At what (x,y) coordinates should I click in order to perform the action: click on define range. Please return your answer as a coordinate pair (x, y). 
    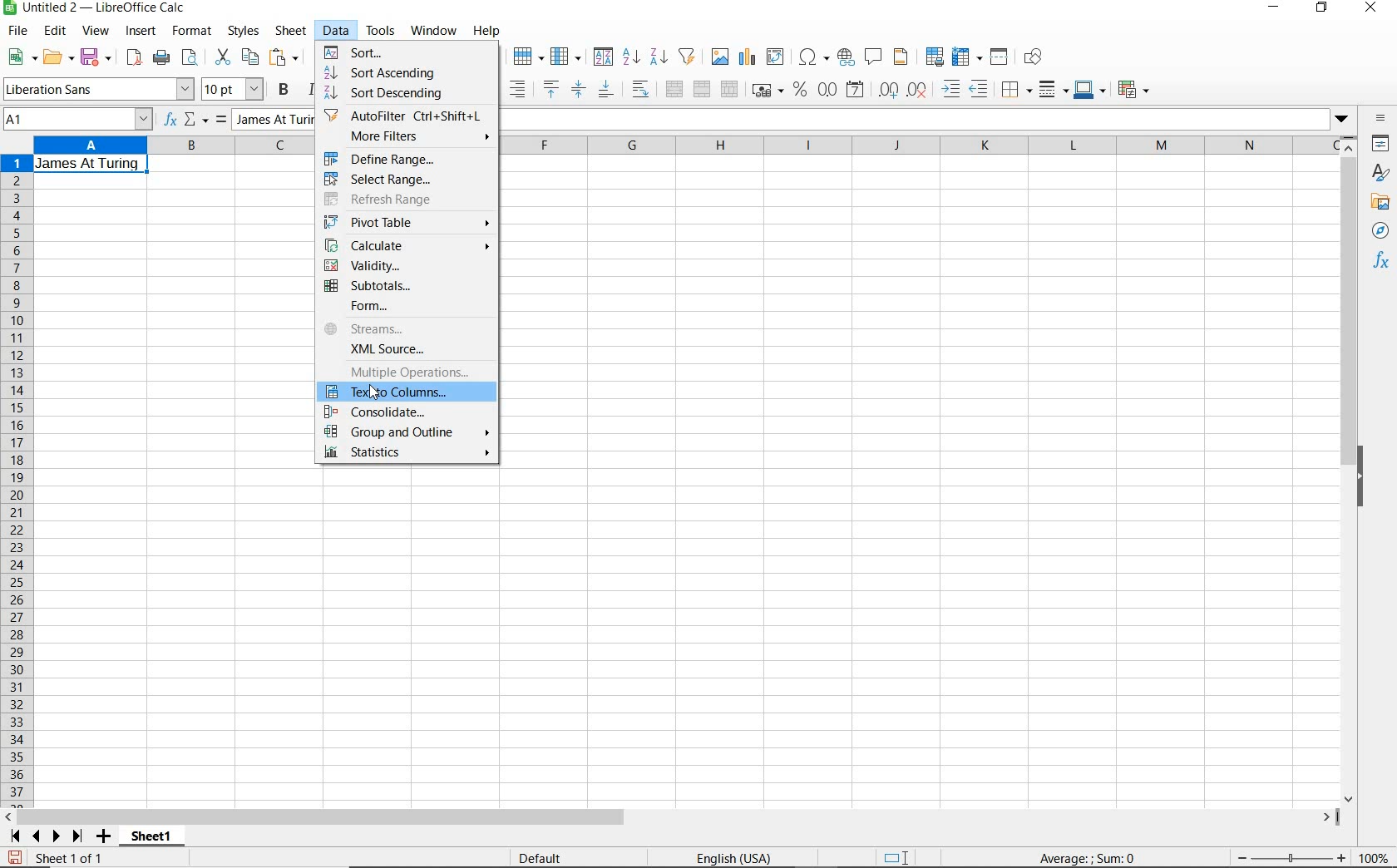
    Looking at the image, I should click on (404, 160).